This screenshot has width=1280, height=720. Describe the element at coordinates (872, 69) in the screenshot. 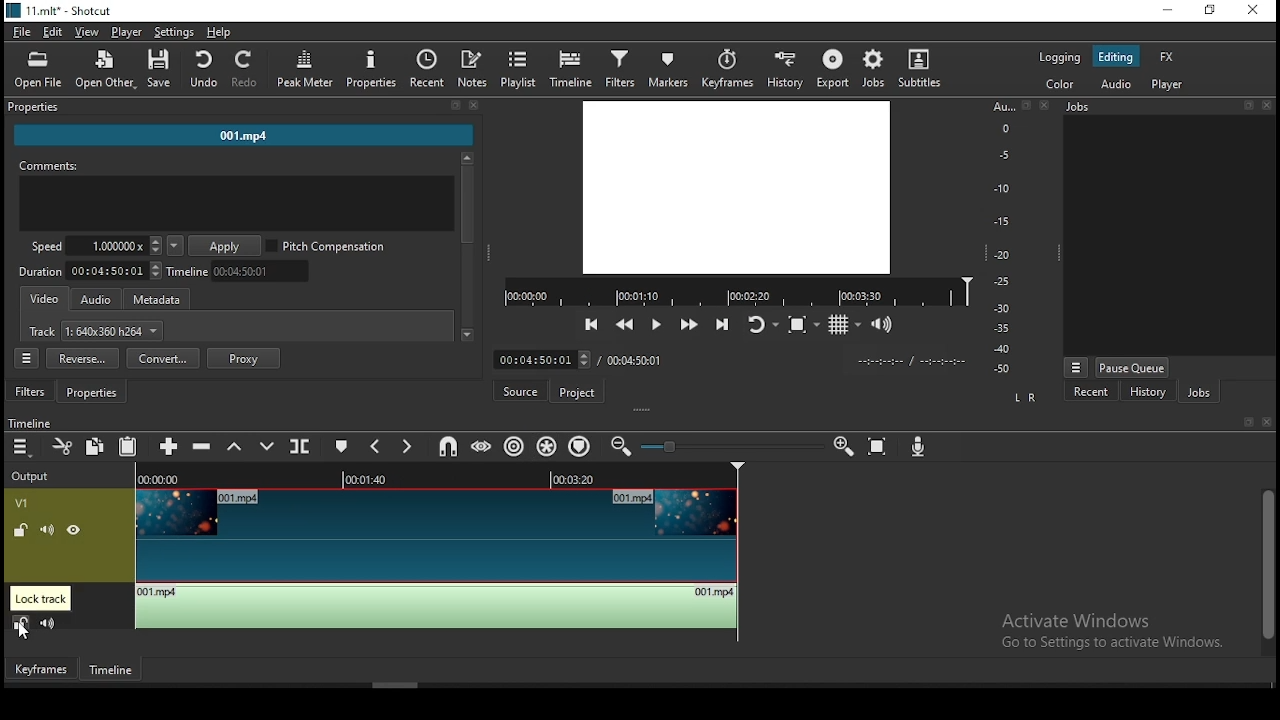

I see `jobs` at that location.